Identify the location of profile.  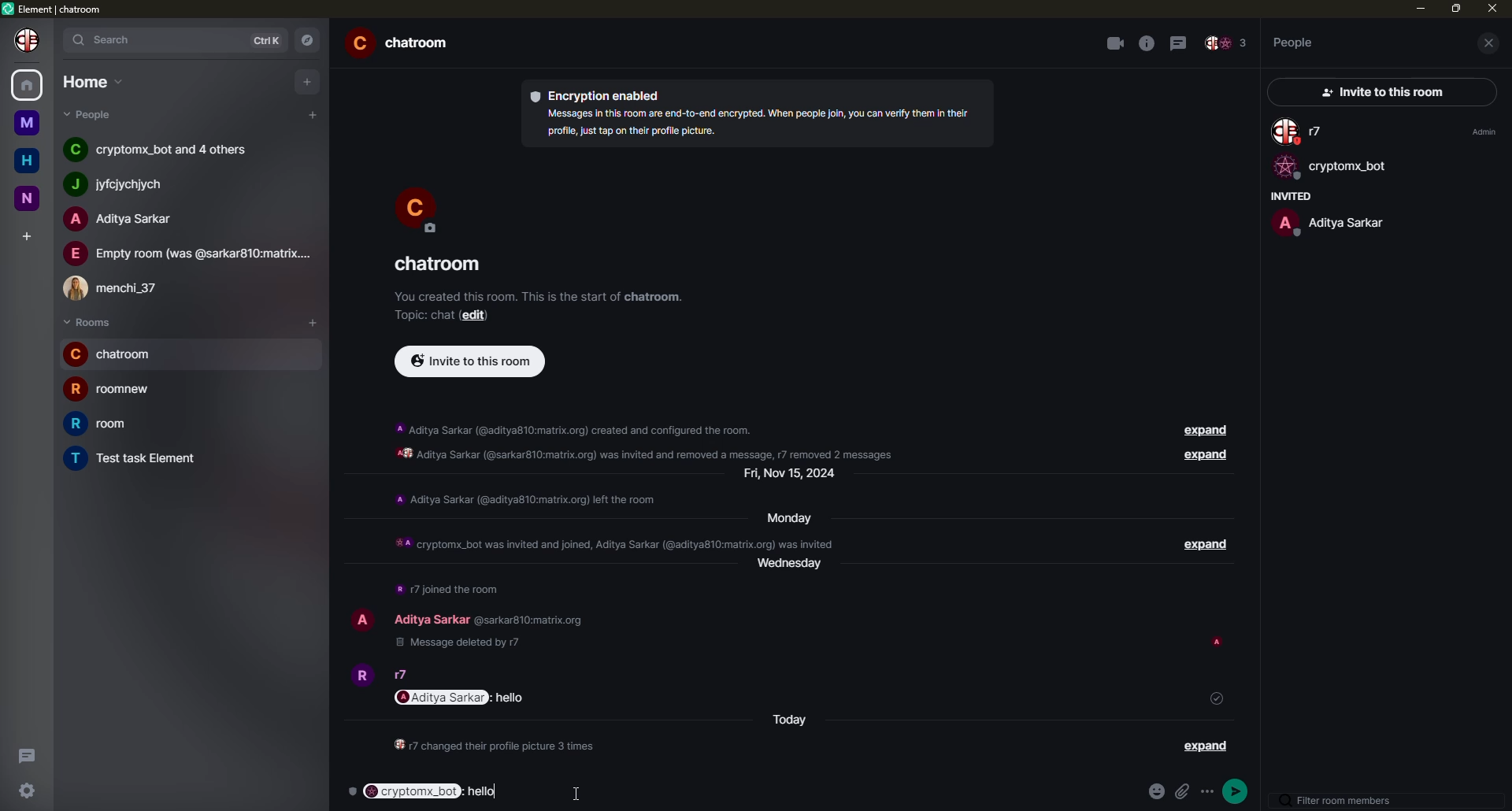
(417, 208).